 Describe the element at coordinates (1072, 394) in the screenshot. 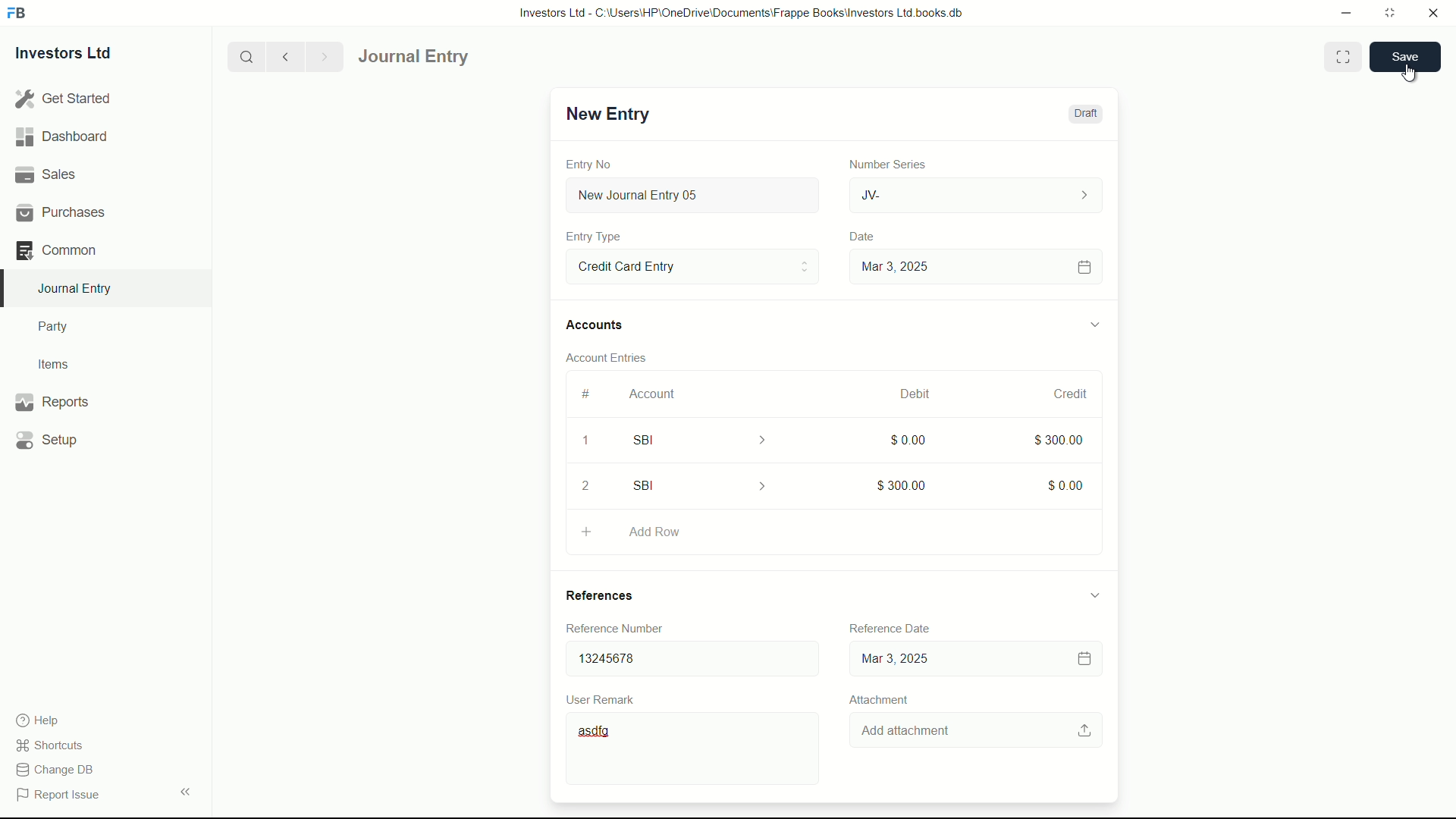

I see `credit` at that location.